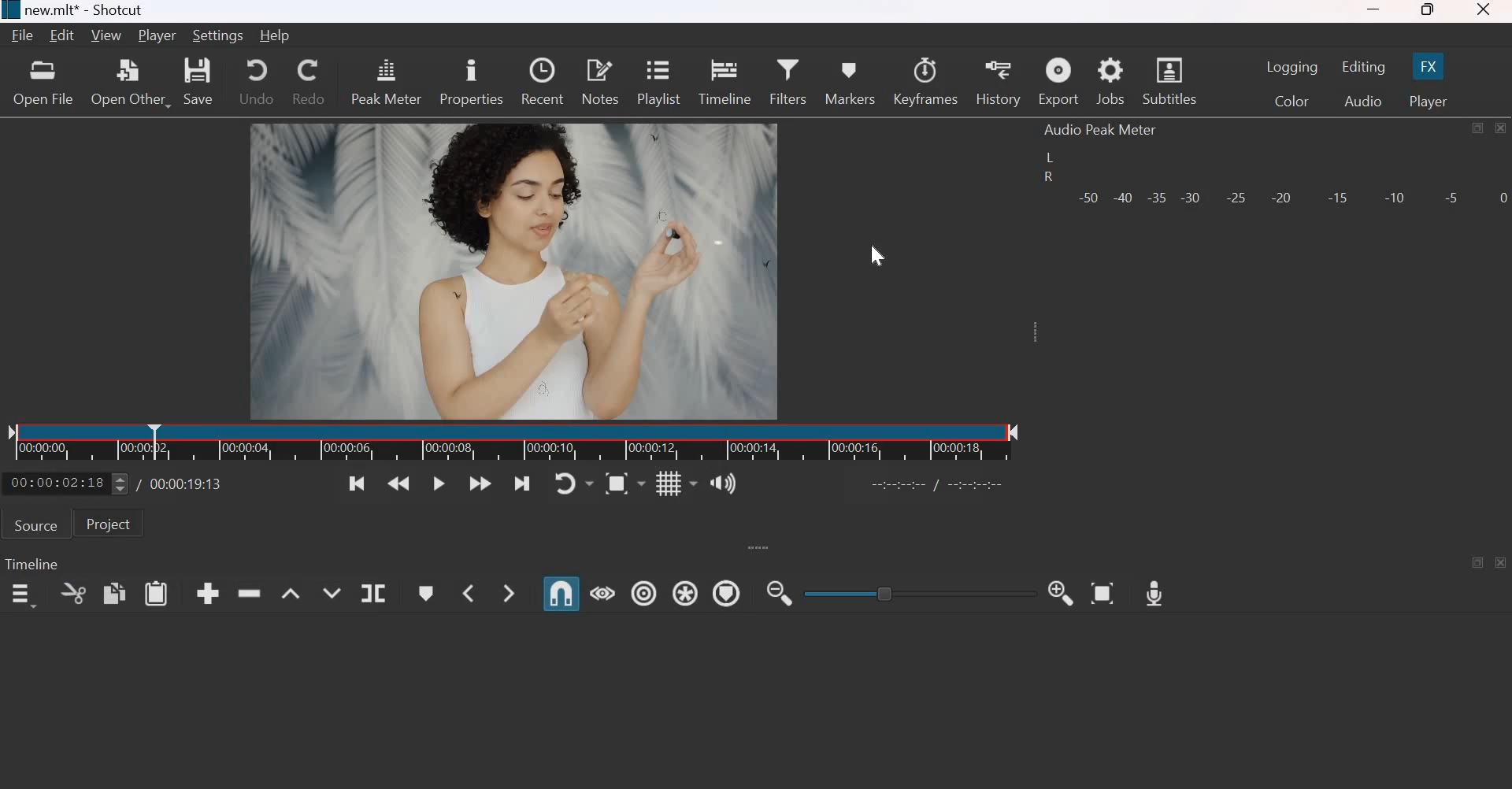  What do you see at coordinates (106, 37) in the screenshot?
I see `View` at bounding box center [106, 37].